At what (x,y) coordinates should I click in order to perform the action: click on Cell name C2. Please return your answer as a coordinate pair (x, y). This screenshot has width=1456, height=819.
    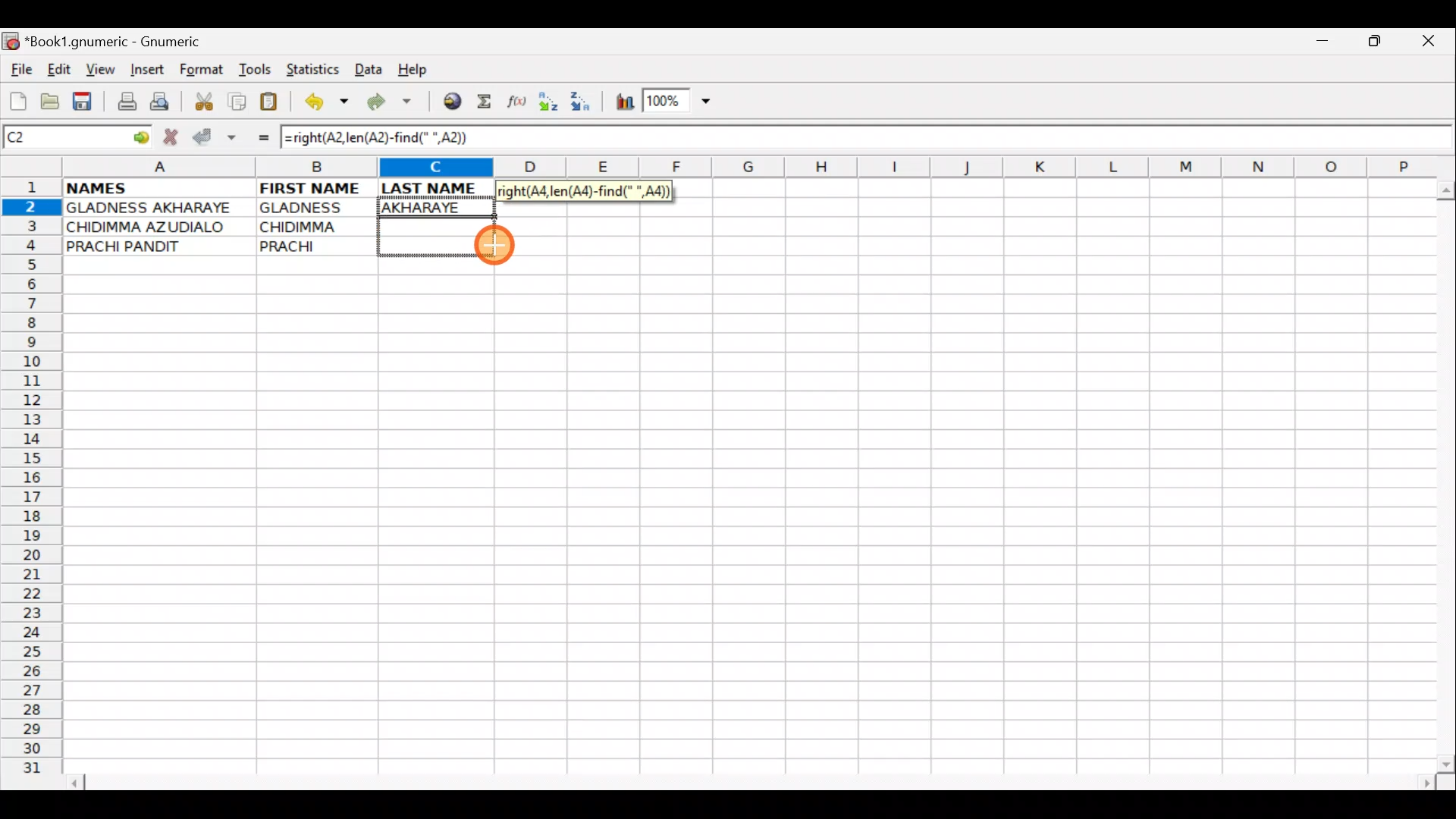
    Looking at the image, I should click on (61, 138).